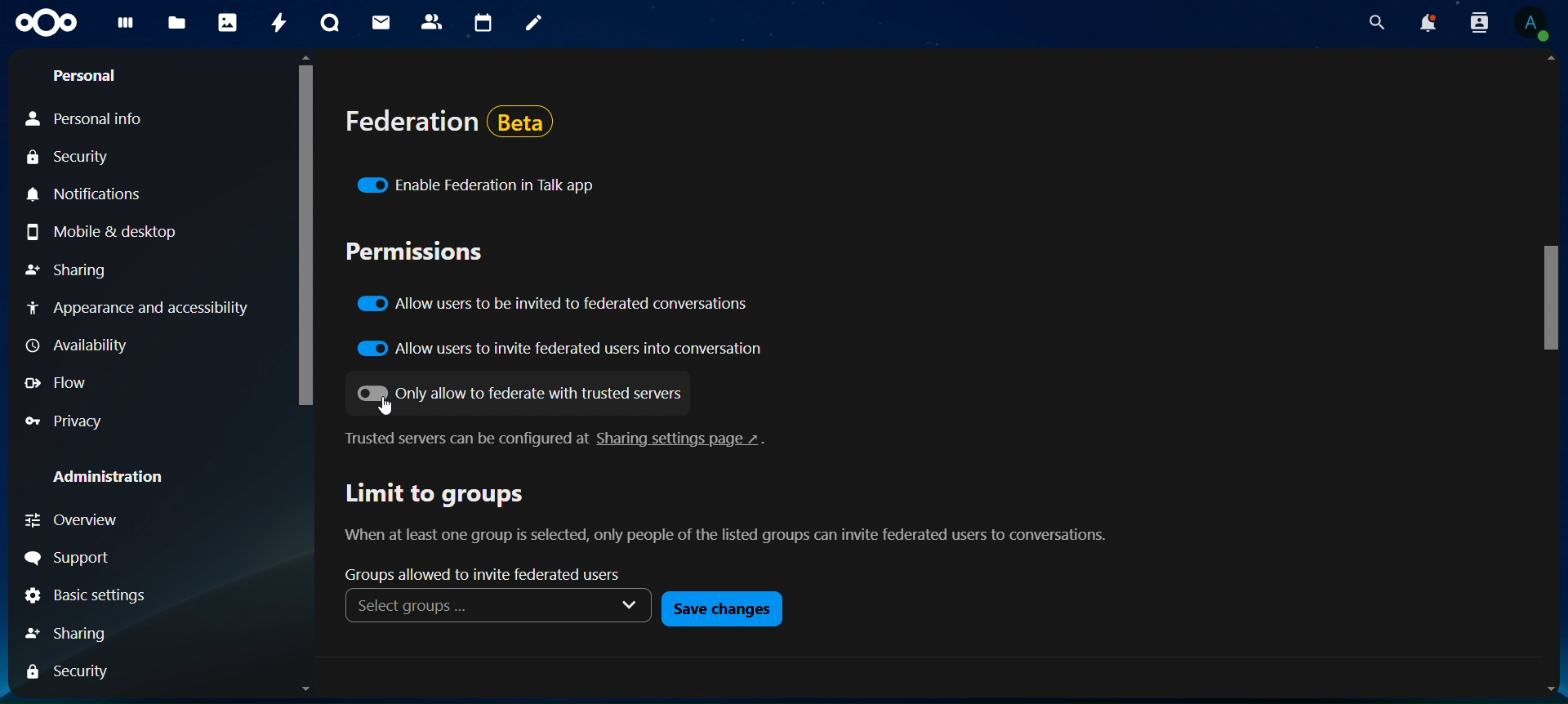 This screenshot has height=704, width=1568. What do you see at coordinates (1426, 23) in the screenshot?
I see `notifications` at bounding box center [1426, 23].